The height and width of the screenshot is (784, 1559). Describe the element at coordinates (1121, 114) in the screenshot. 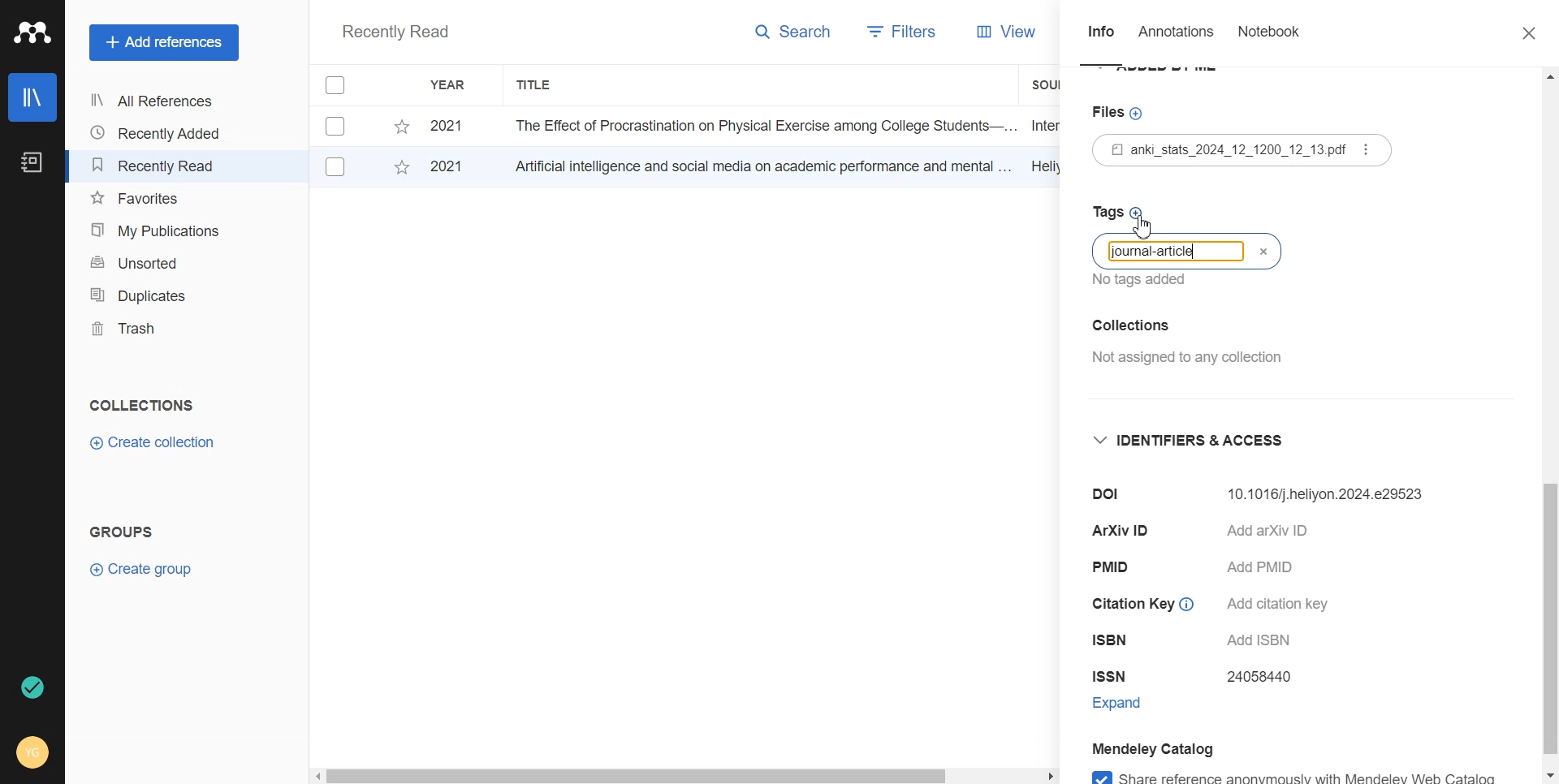

I see `Files` at that location.